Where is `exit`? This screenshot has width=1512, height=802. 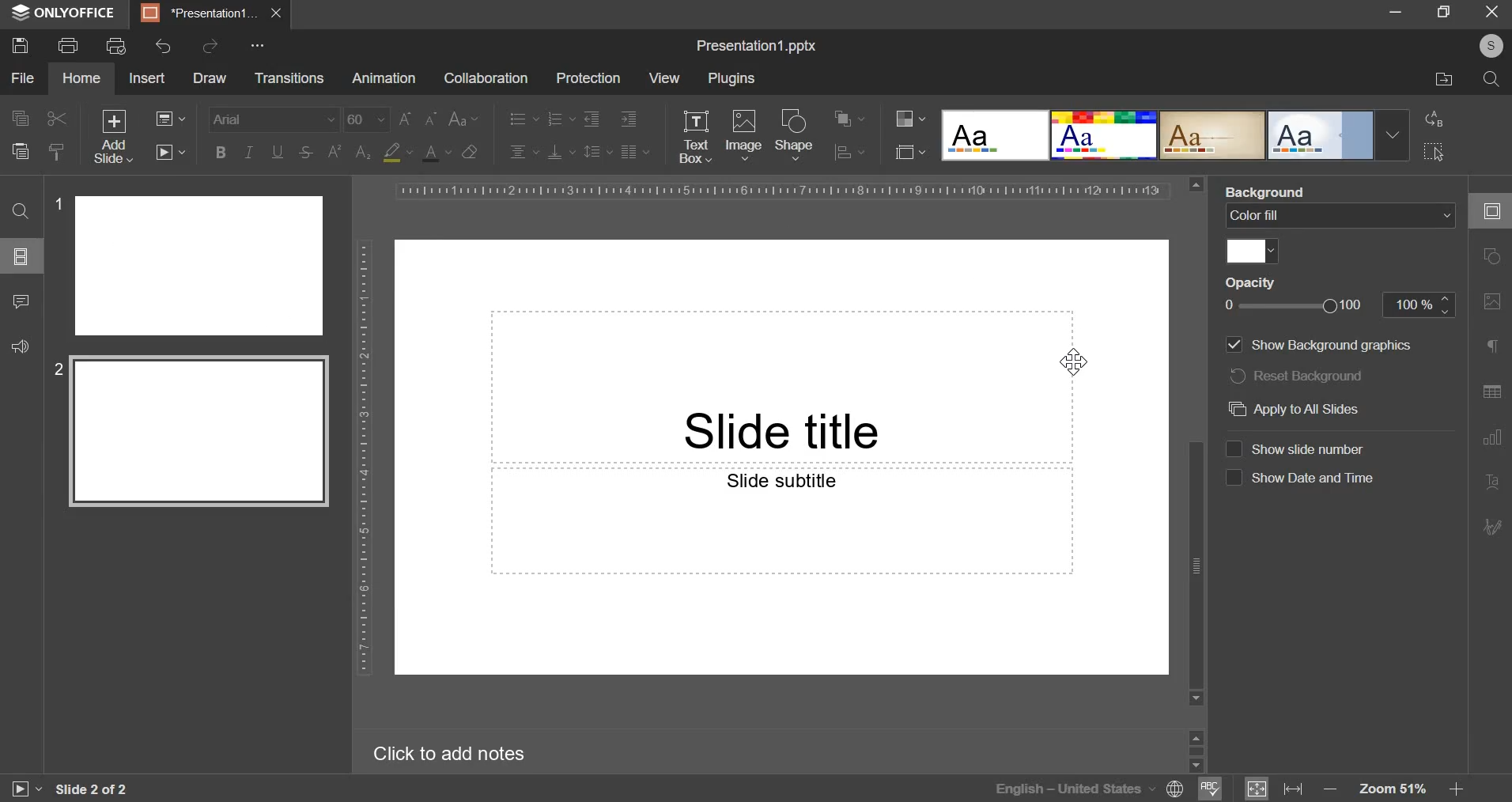
exit is located at coordinates (1493, 10).